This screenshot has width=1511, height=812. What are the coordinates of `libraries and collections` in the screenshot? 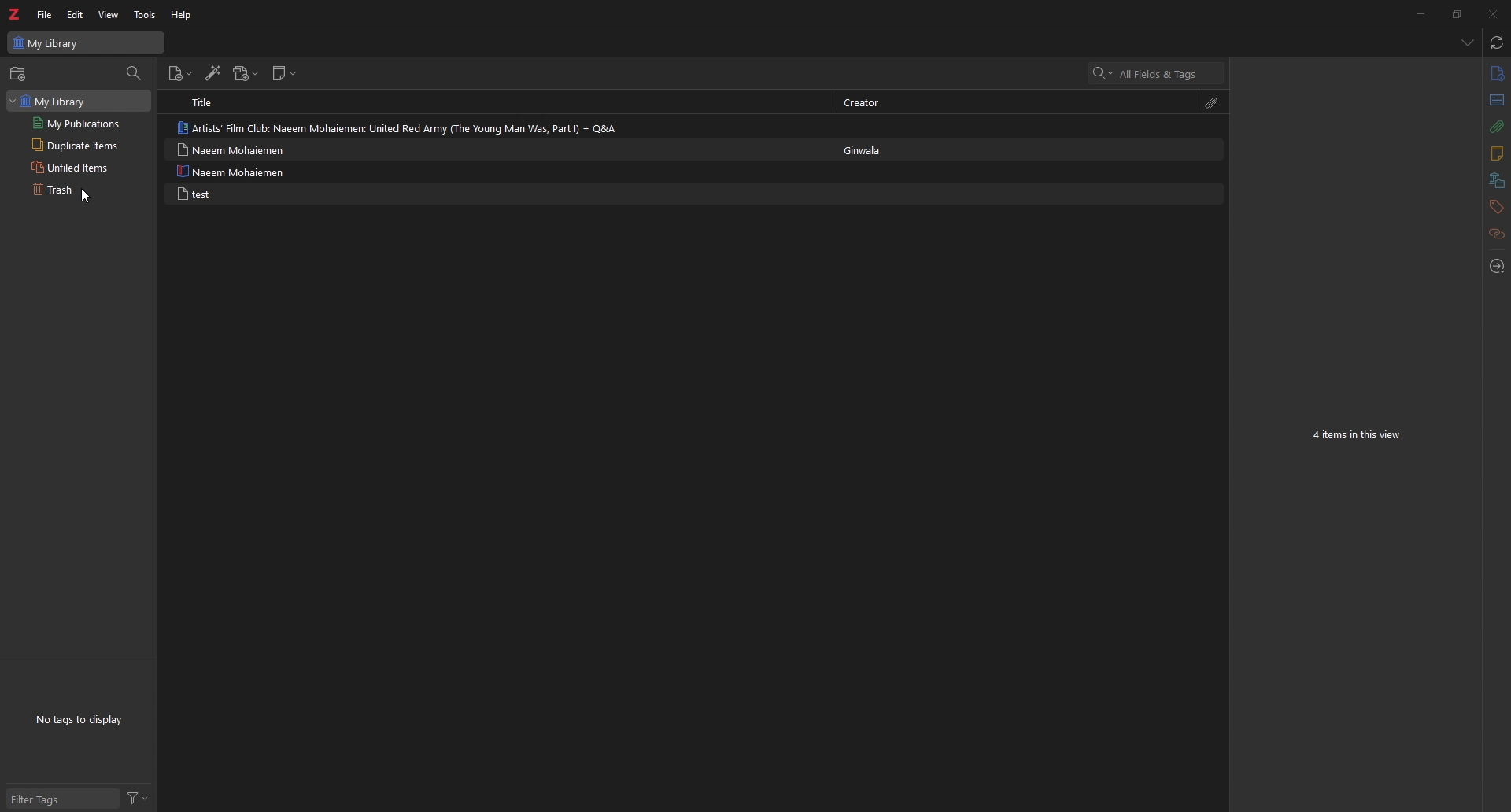 It's located at (1497, 181).